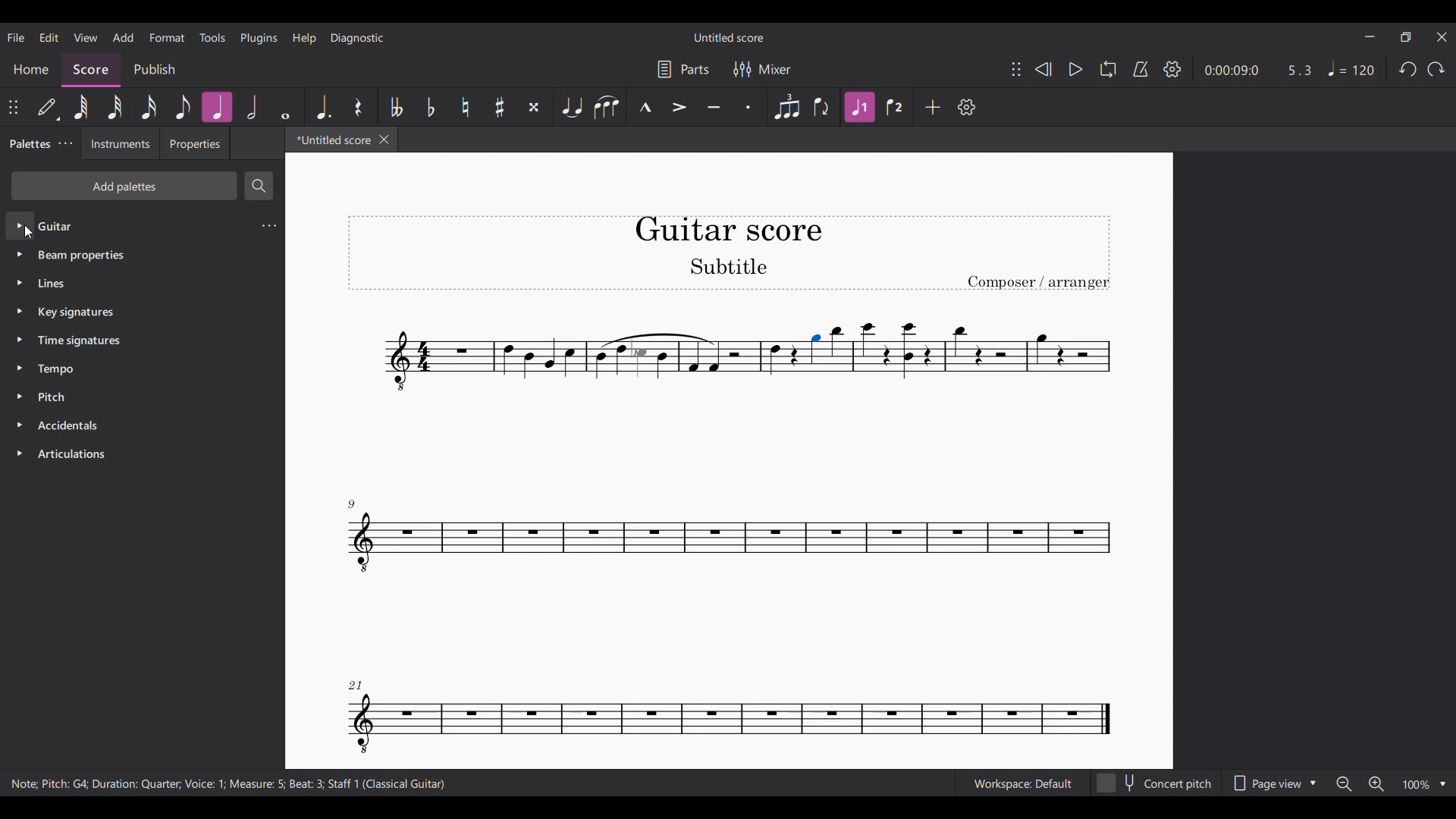 The height and width of the screenshot is (819, 1456). I want to click on Description of current selection, so click(229, 783).